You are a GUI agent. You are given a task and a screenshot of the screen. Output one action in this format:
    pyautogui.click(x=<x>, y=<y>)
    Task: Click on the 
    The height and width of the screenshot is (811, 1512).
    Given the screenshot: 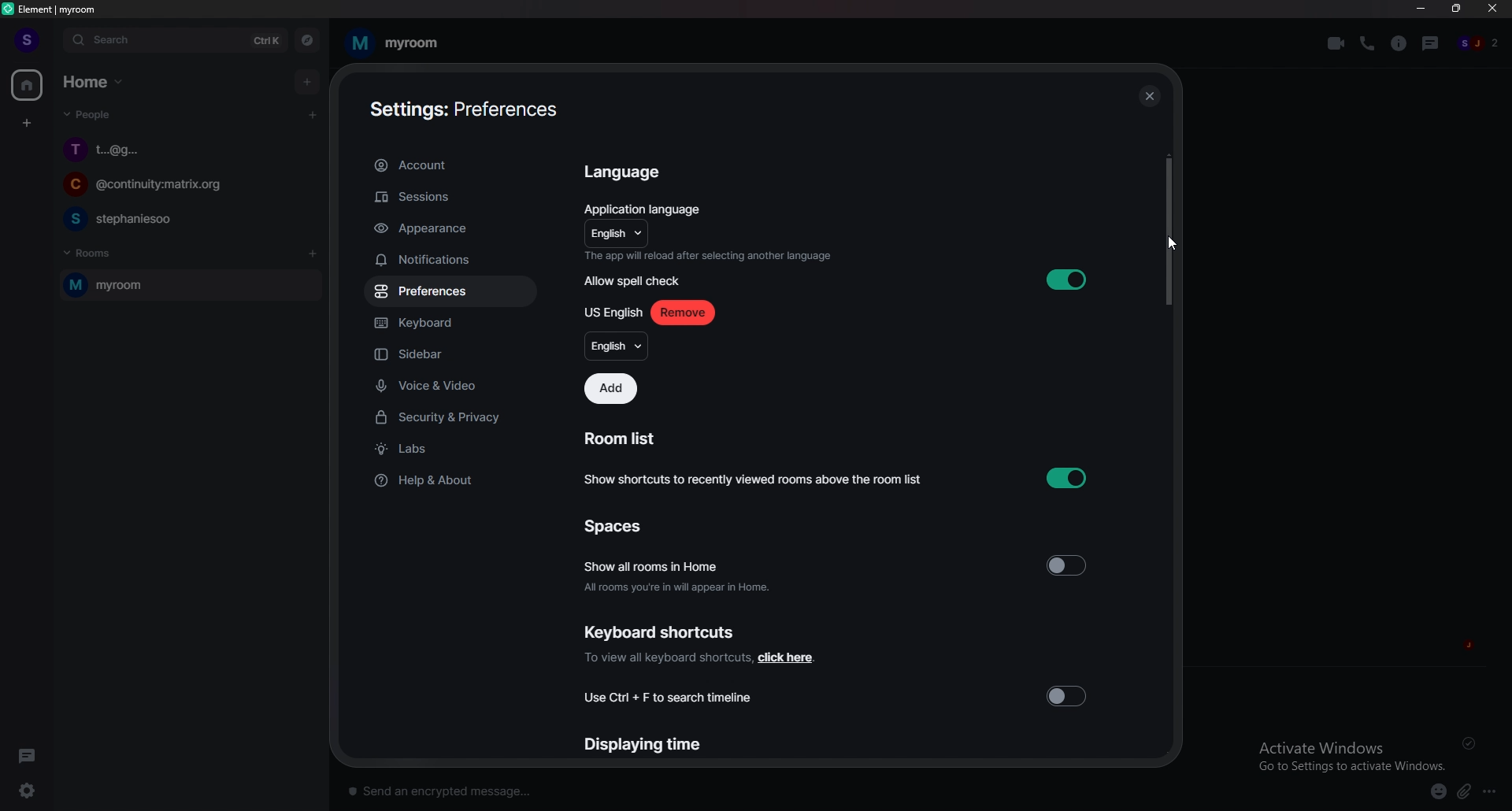 What is the action you would take?
    pyautogui.click(x=1473, y=743)
    